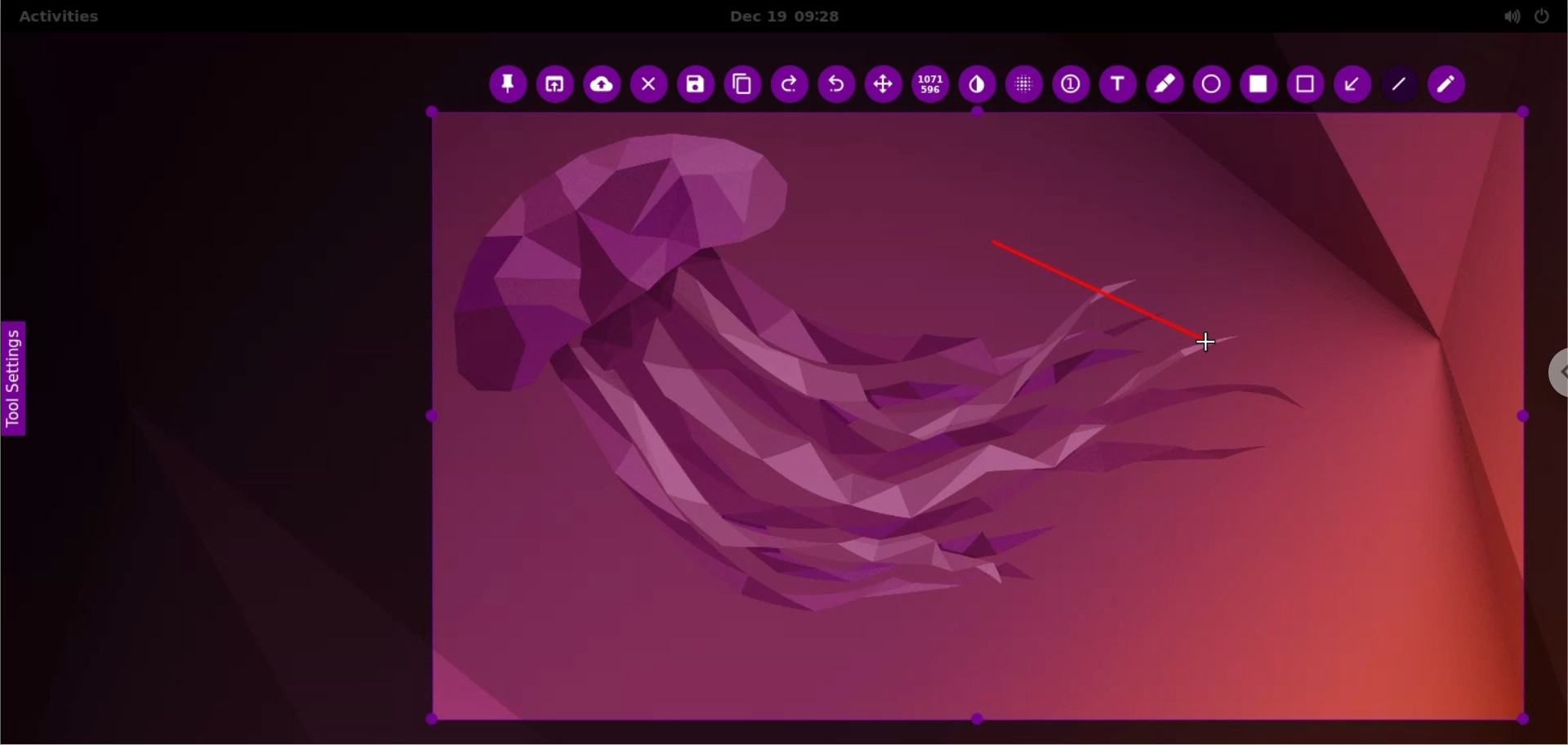 Image resolution: width=1568 pixels, height=745 pixels. Describe the element at coordinates (1350, 83) in the screenshot. I see `arrow` at that location.